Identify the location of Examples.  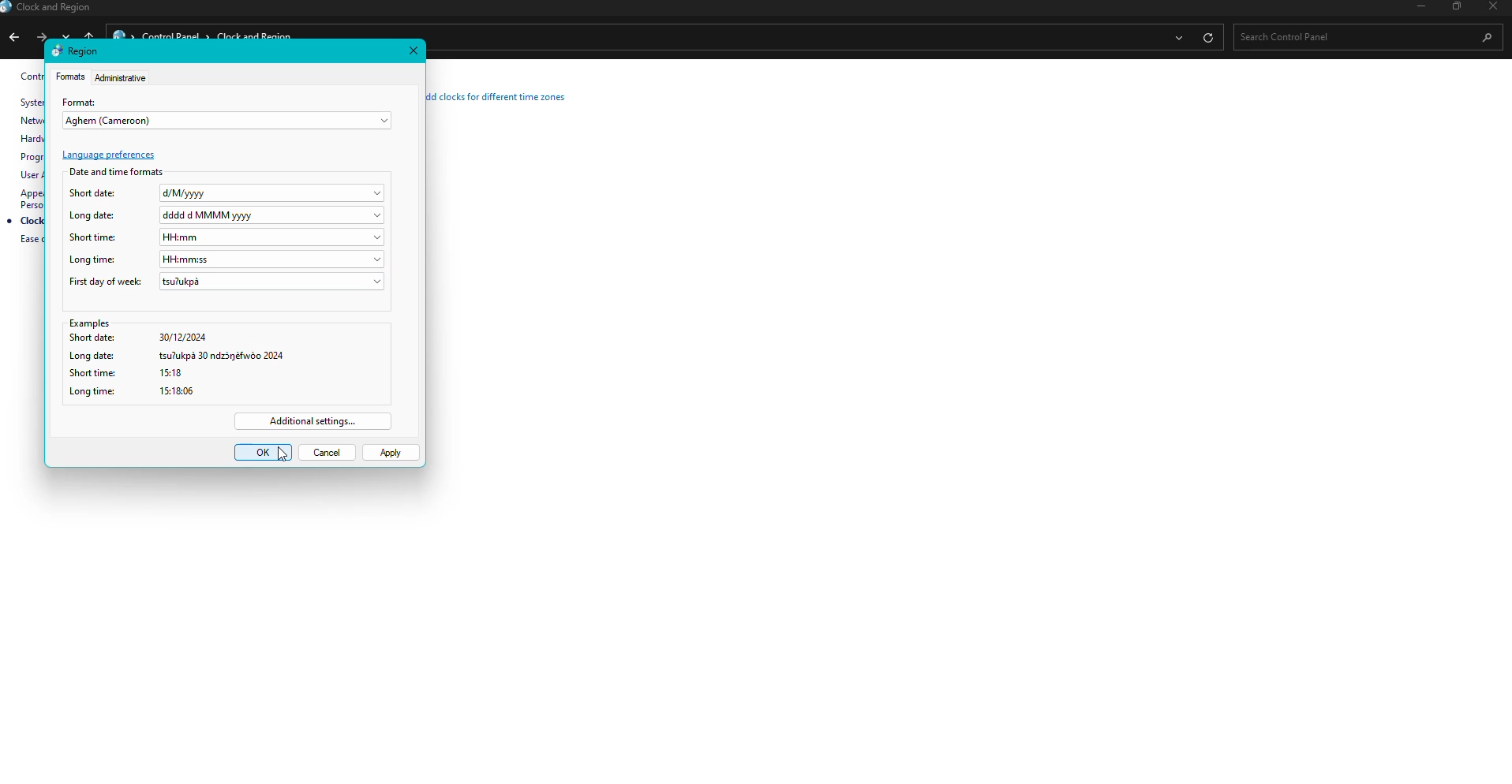
(226, 324).